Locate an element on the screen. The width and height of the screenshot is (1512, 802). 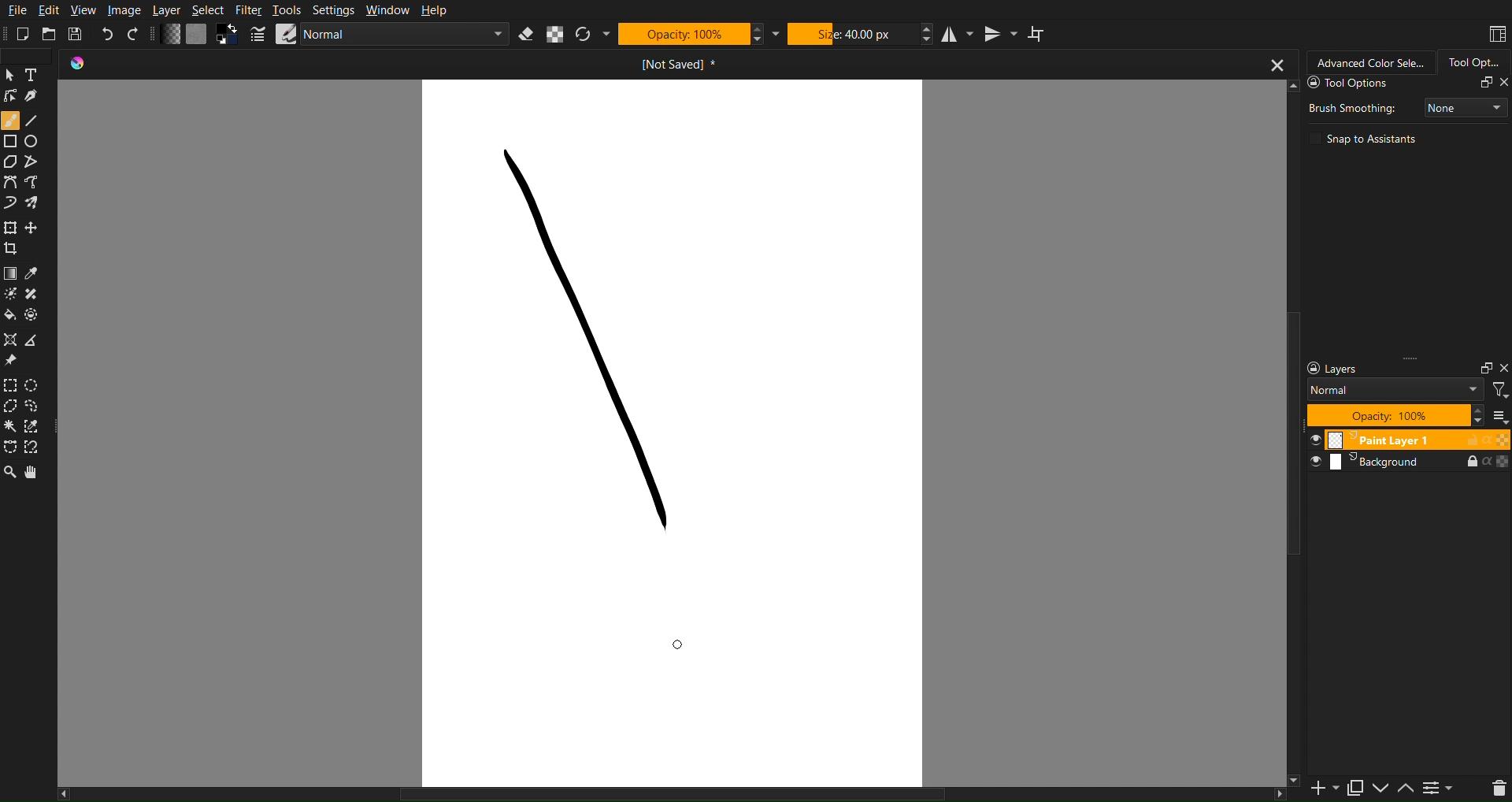
Refresh is located at coordinates (583, 34).